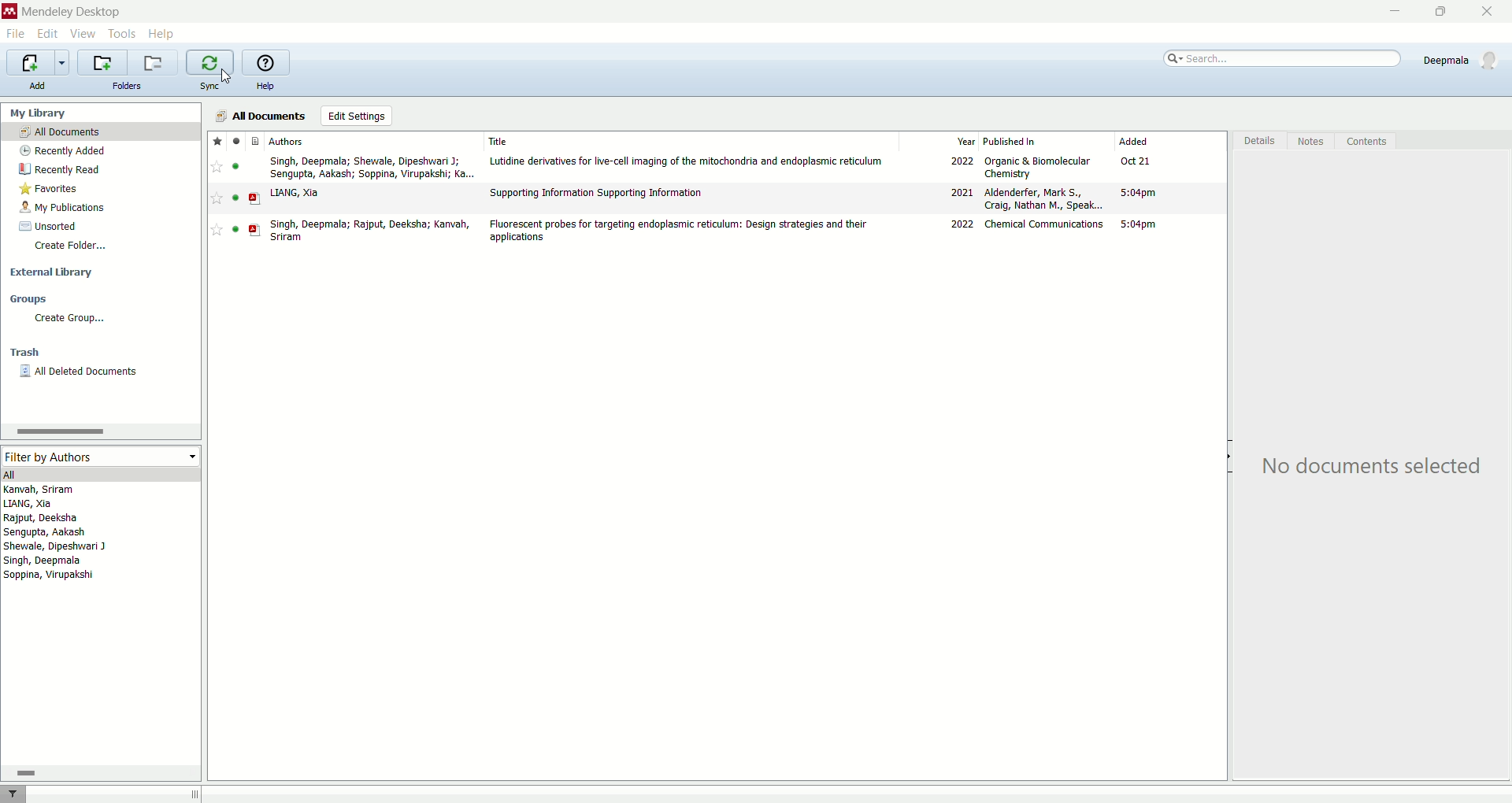  I want to click on tools, so click(122, 33).